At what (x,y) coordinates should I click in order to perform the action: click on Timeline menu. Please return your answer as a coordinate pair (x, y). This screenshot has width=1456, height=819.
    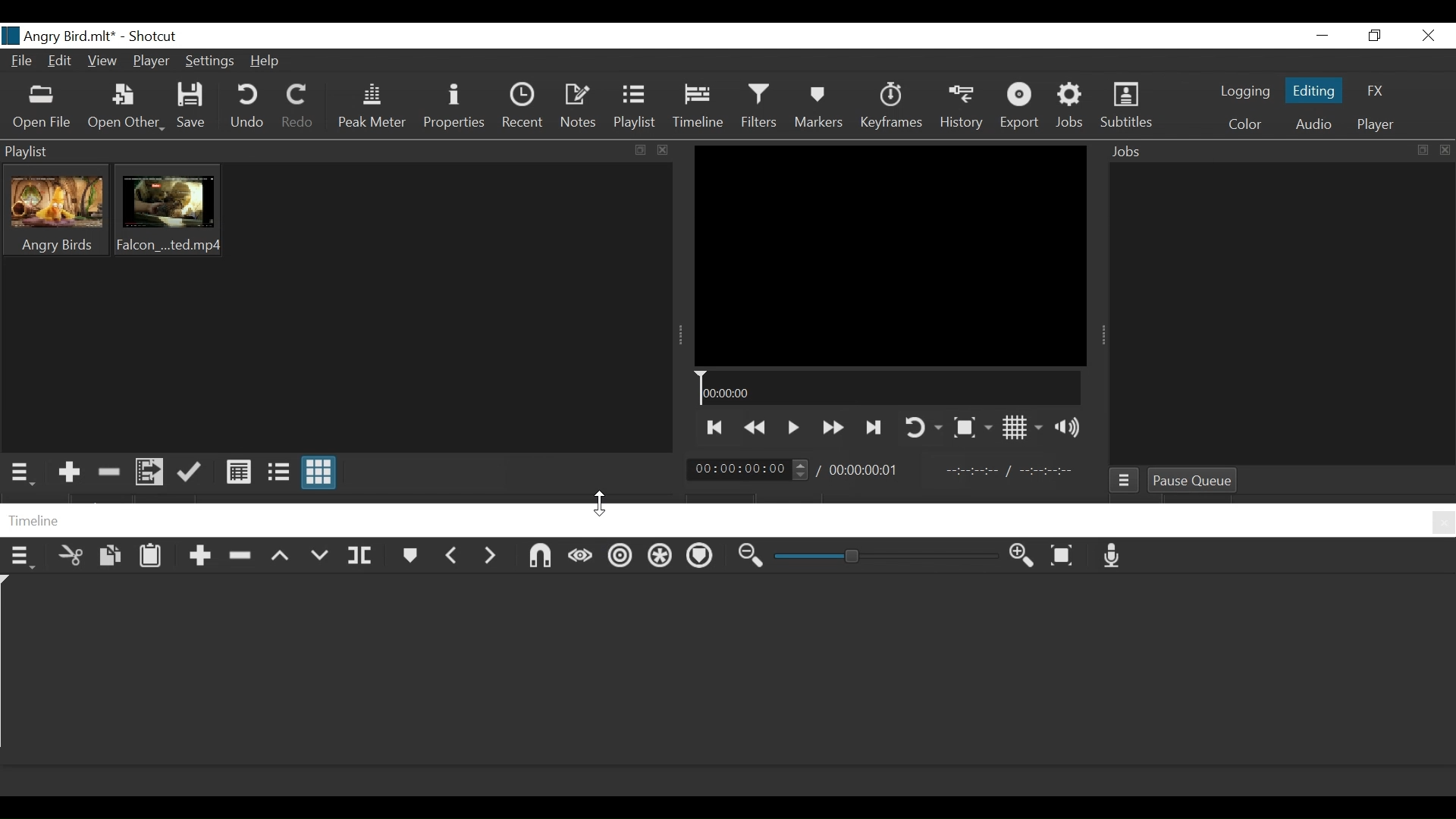
    Looking at the image, I should click on (22, 560).